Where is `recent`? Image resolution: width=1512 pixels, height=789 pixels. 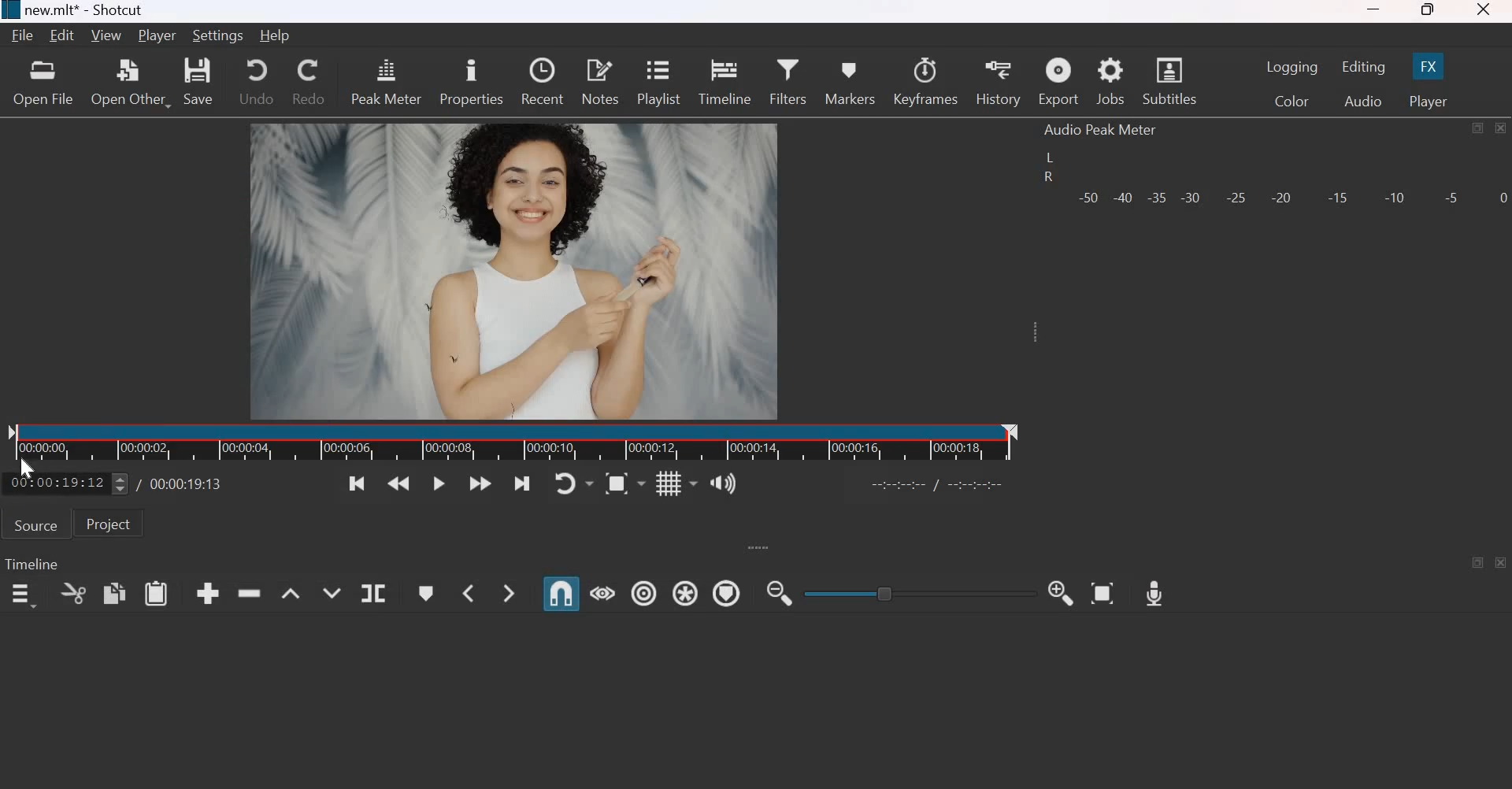
recent is located at coordinates (542, 79).